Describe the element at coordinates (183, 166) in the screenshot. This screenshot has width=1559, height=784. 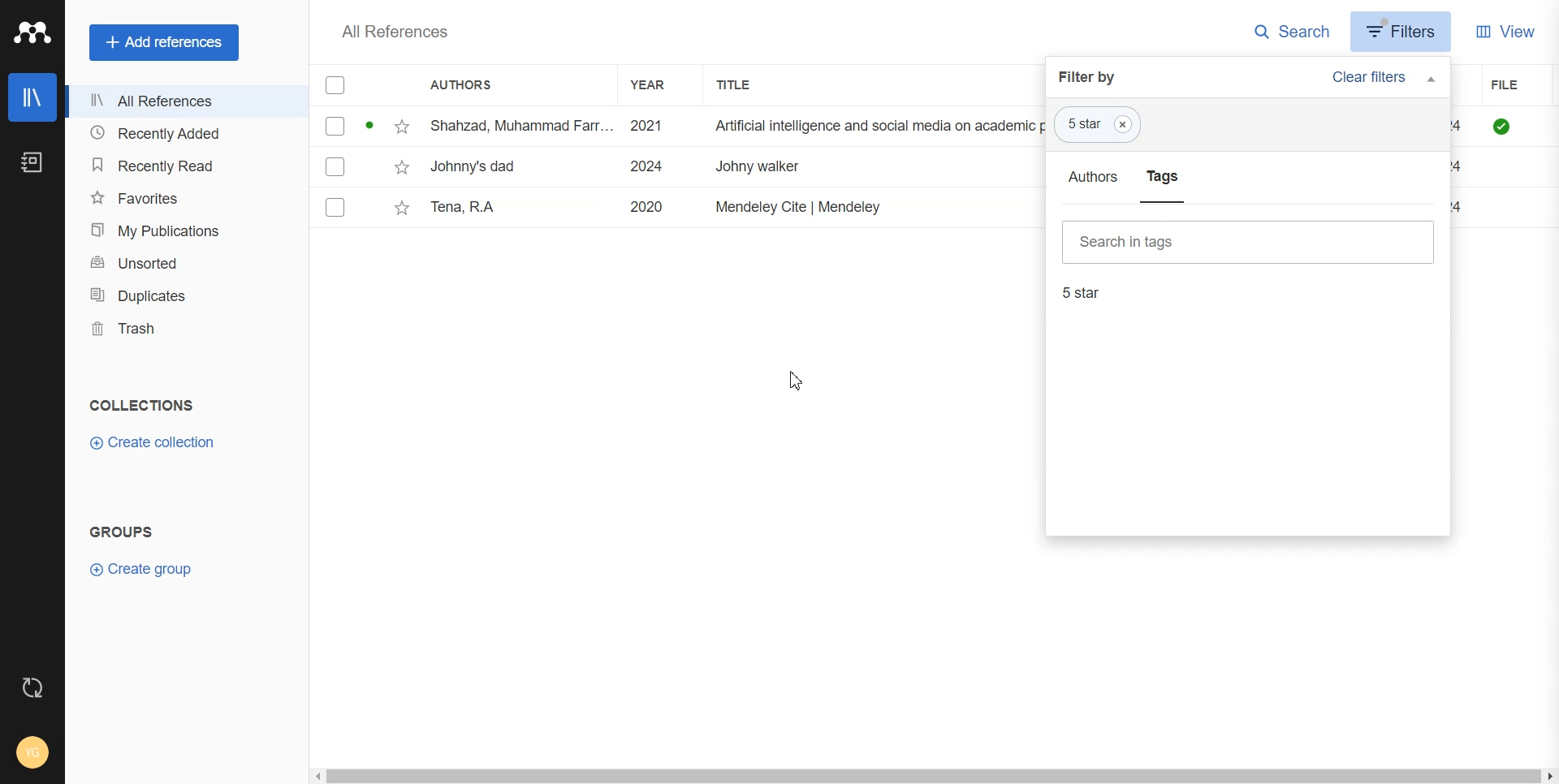
I see `Recently Read` at that location.